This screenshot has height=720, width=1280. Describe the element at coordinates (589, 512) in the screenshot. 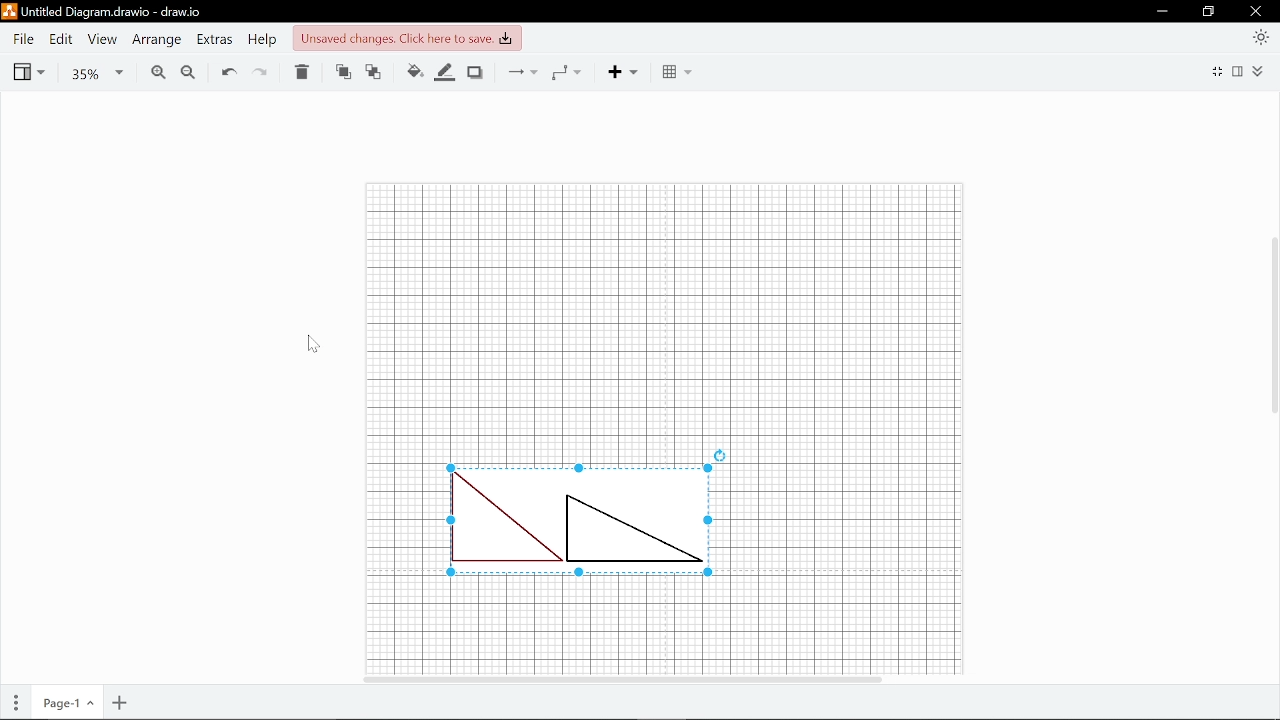

I see `Imported image` at that location.